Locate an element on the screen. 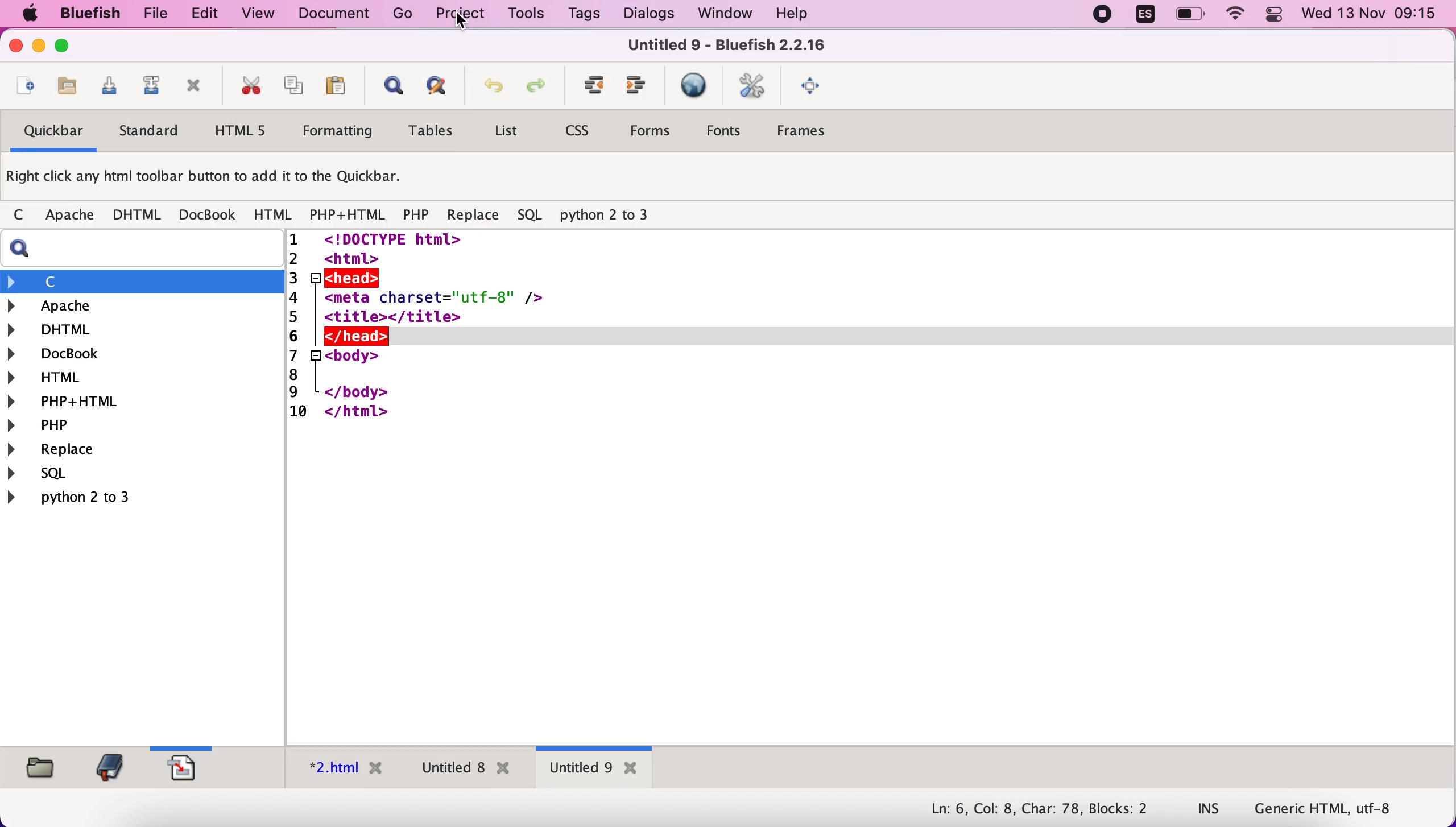  wifi is located at coordinates (1237, 15).